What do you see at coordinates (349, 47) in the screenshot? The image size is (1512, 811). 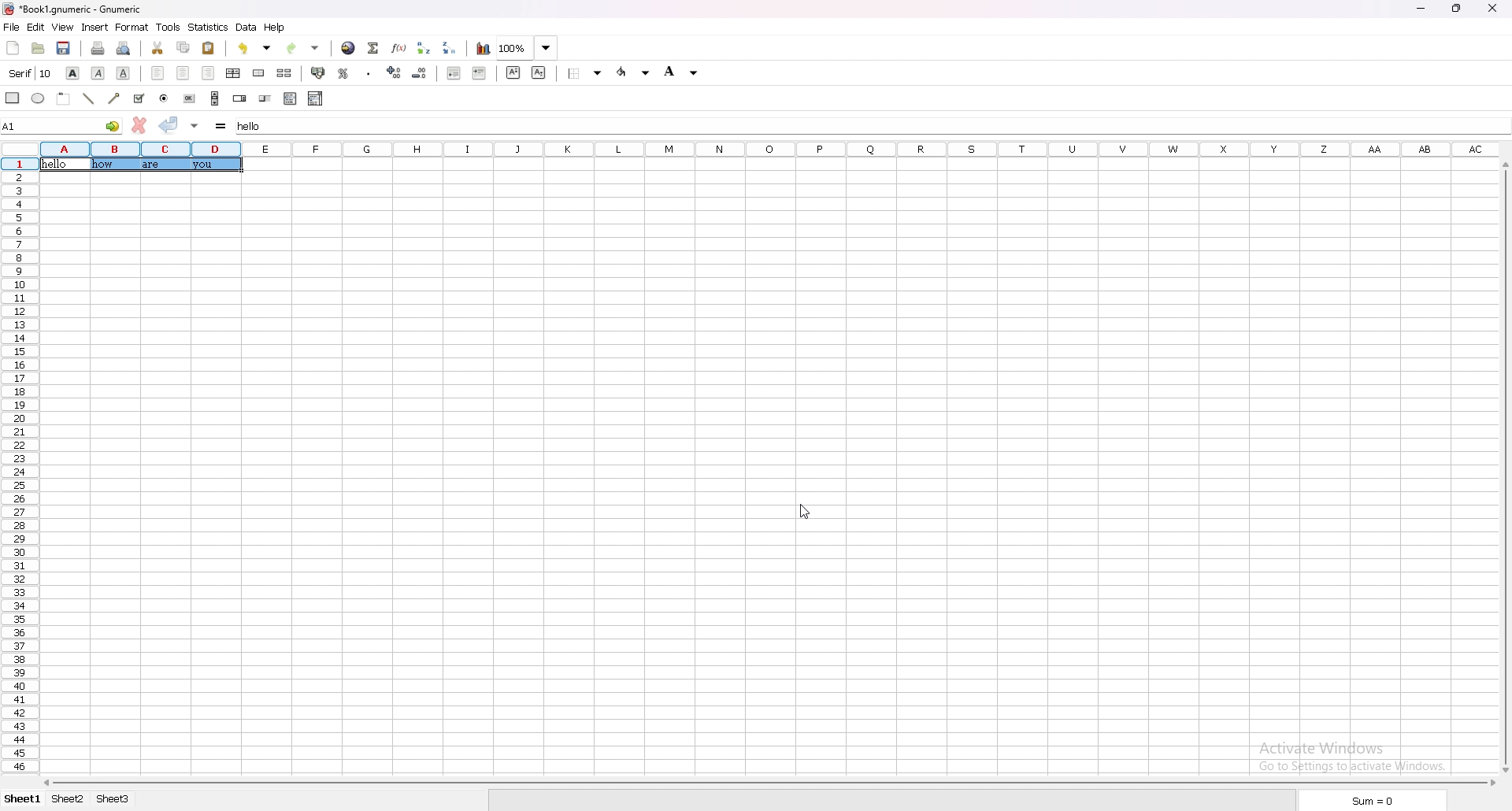 I see `hyperlink` at bounding box center [349, 47].